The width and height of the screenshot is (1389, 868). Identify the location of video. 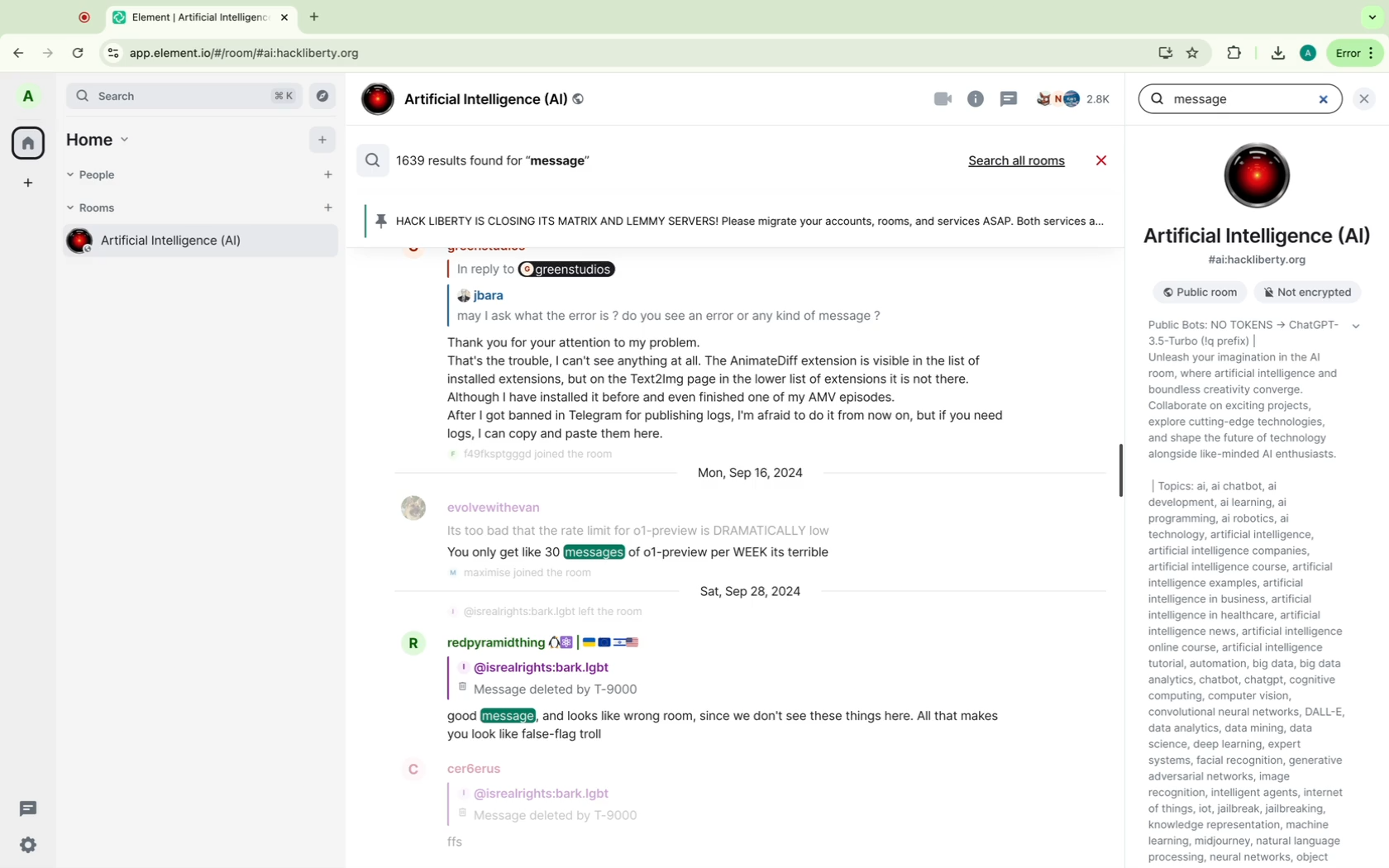
(943, 99).